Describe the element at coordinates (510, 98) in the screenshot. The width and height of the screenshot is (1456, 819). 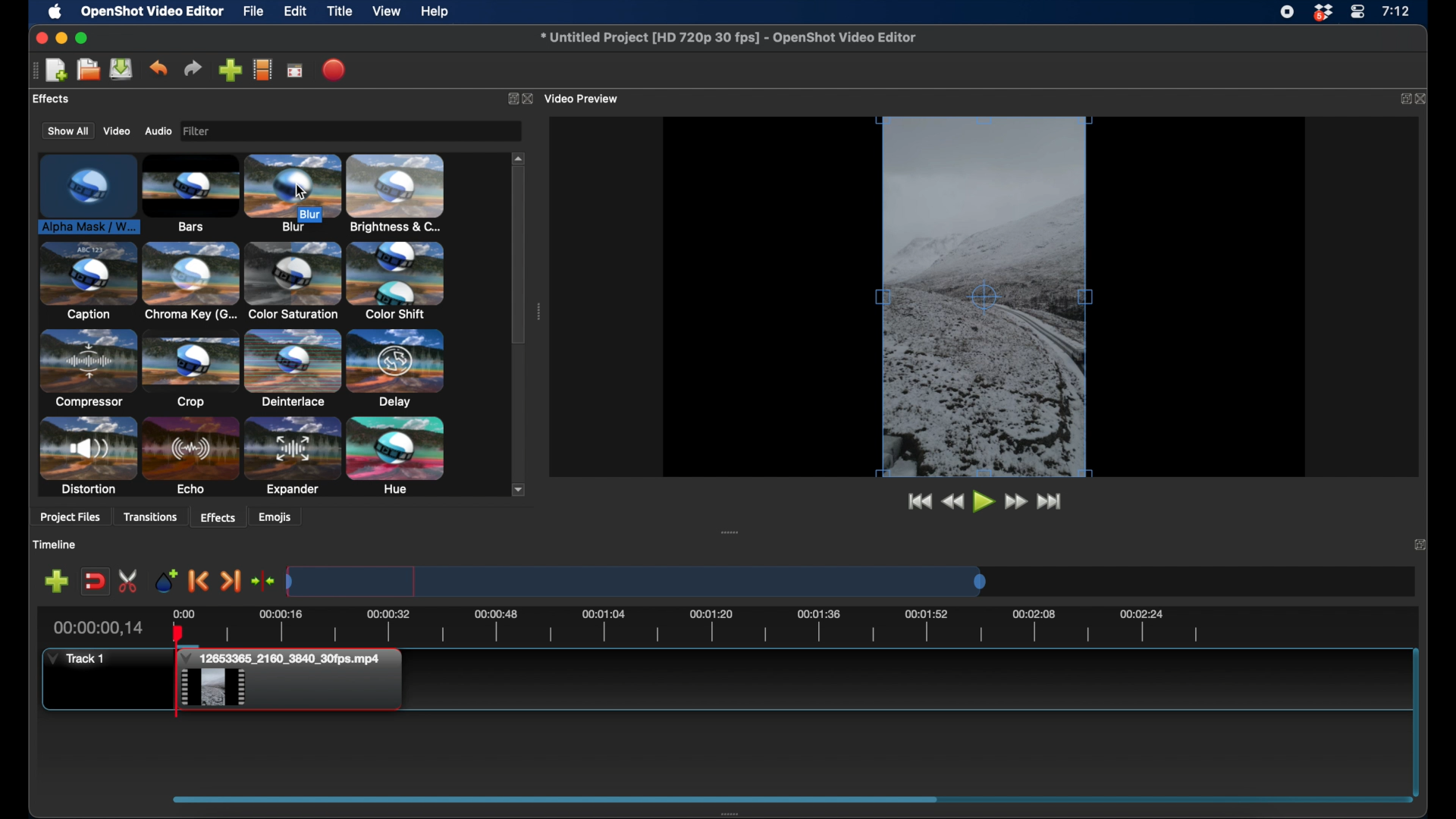
I see `expand` at that location.